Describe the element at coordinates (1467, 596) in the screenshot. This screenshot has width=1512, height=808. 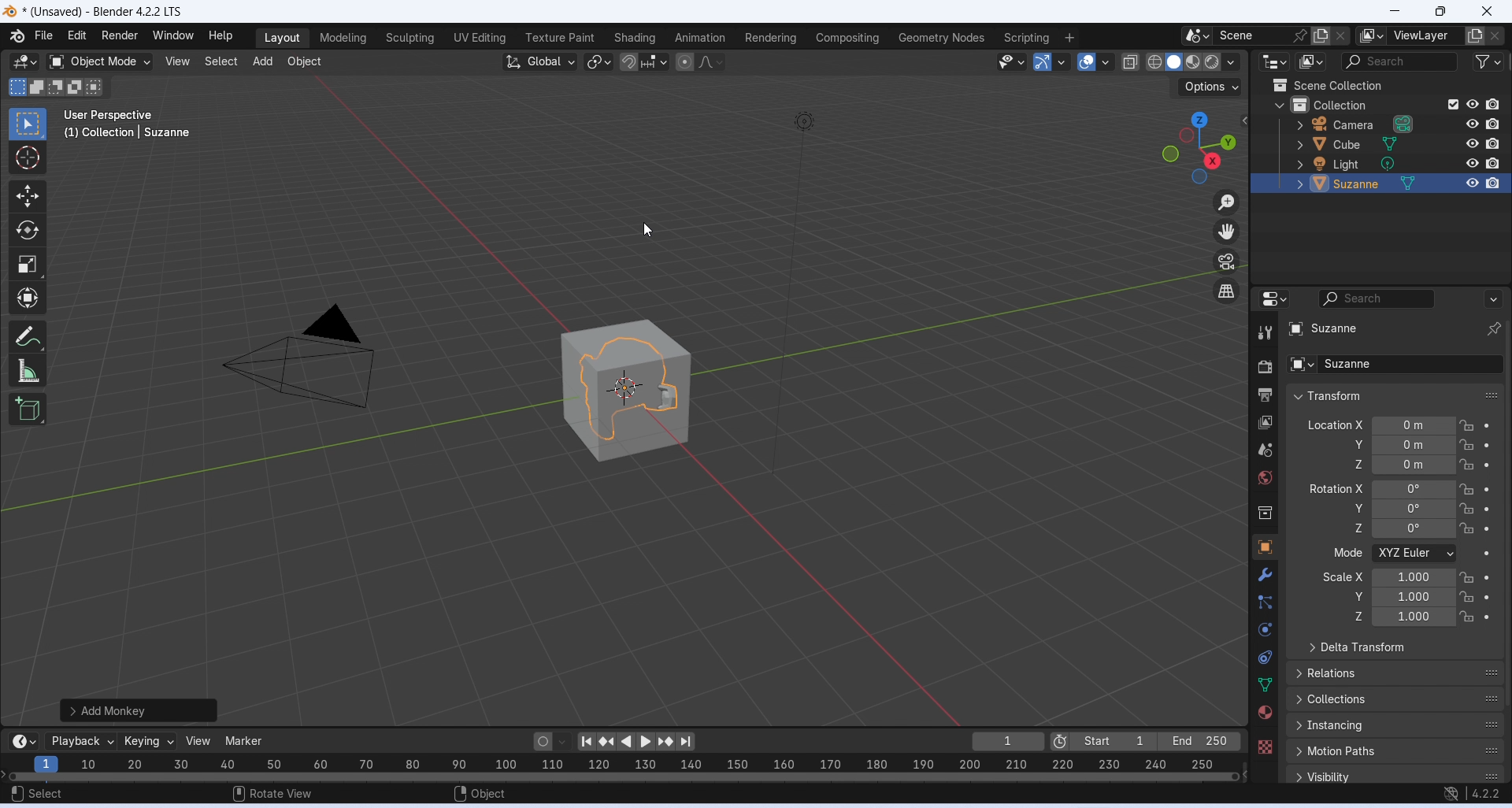
I see `lock location` at that location.